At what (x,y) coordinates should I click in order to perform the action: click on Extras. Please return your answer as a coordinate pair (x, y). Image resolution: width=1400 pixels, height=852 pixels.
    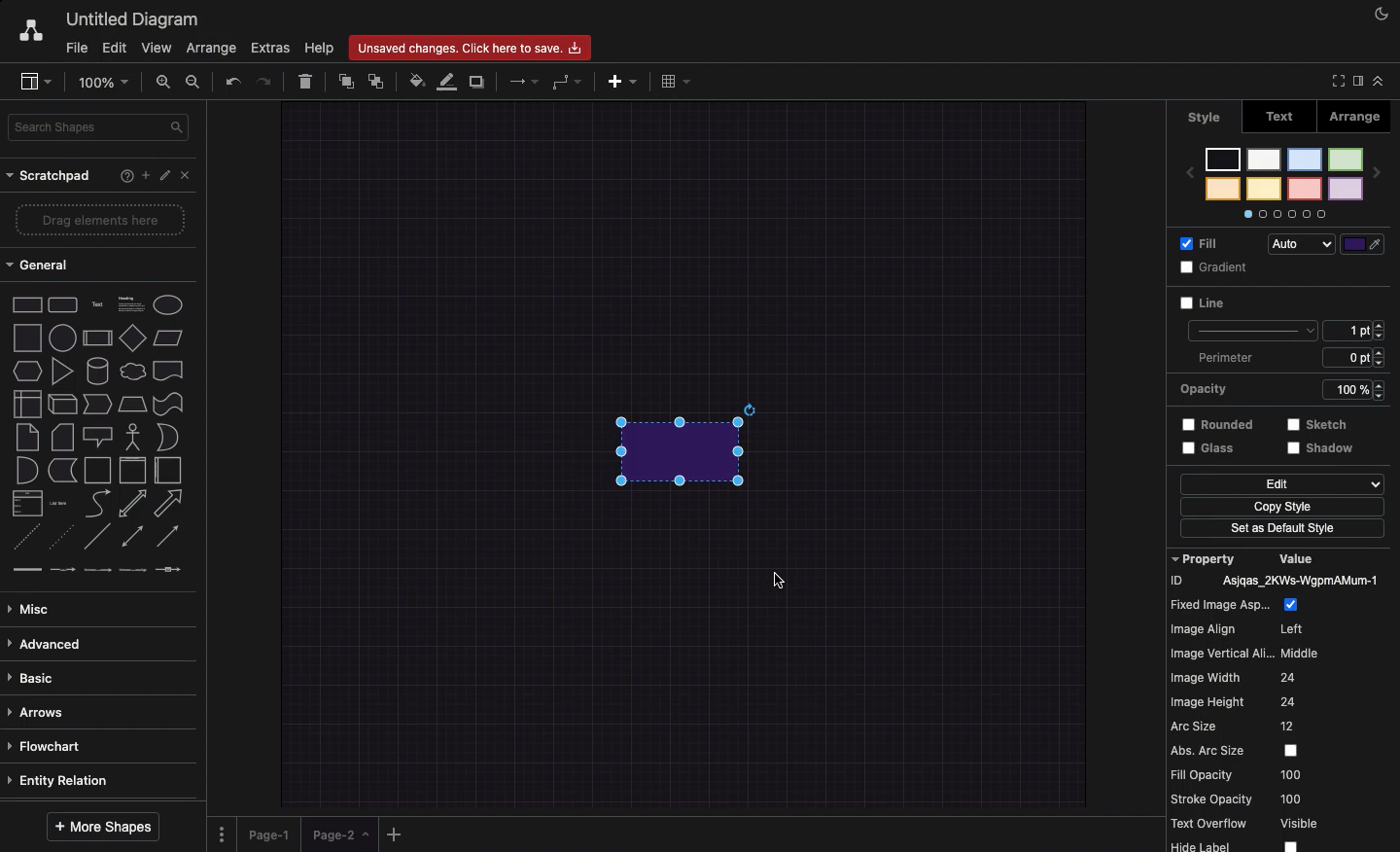
    Looking at the image, I should click on (270, 49).